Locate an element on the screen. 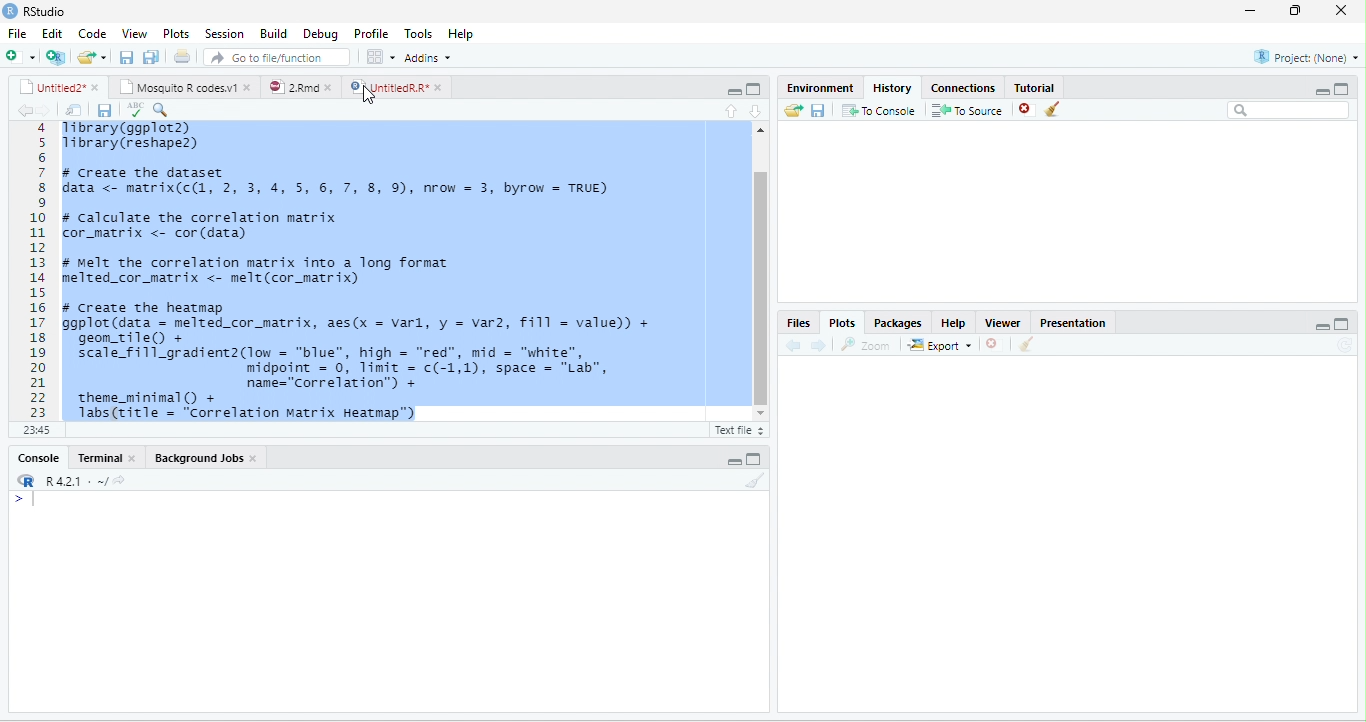 This screenshot has width=1366, height=722. source is located at coordinates (724, 110).